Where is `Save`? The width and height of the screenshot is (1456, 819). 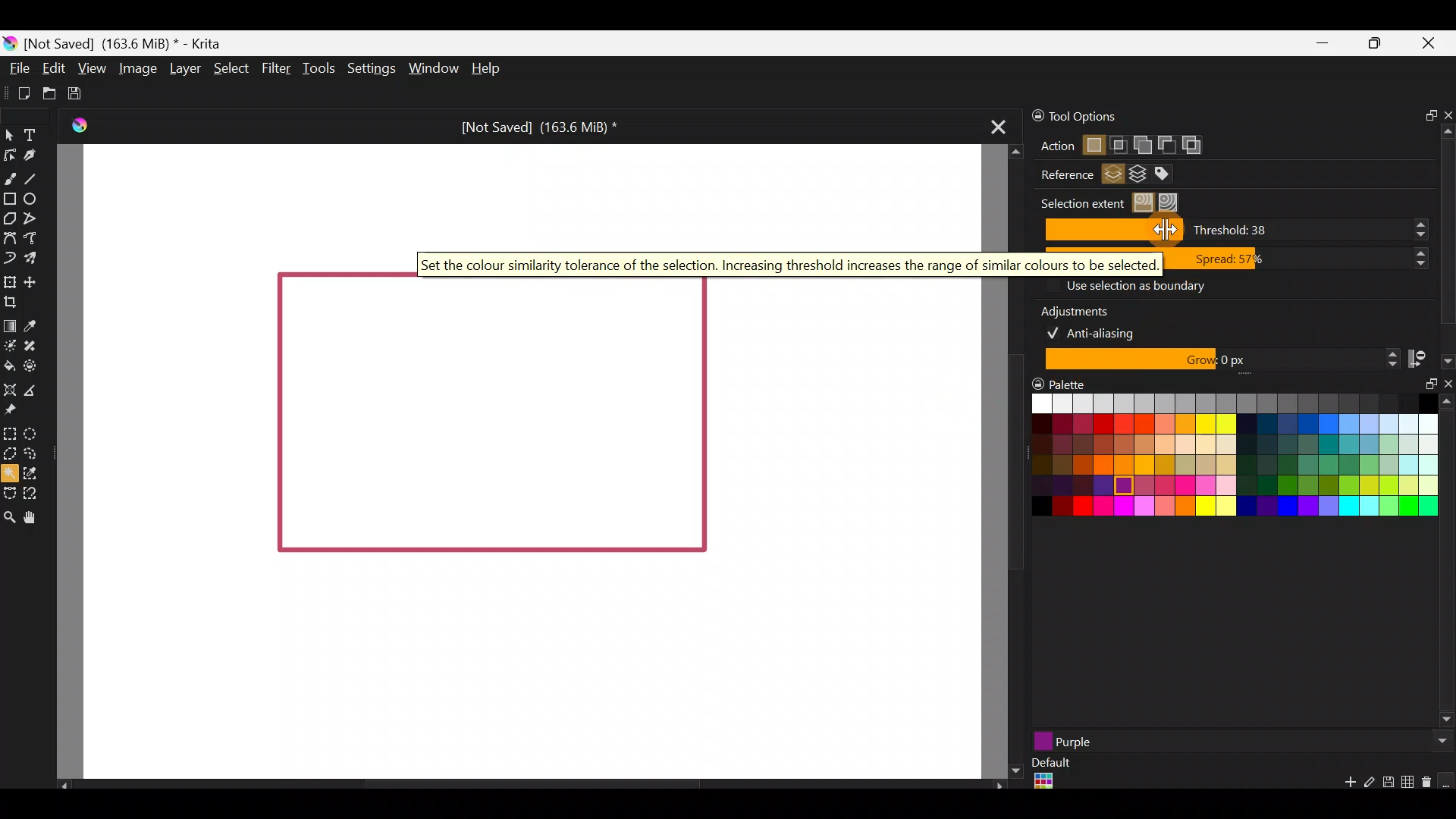
Save is located at coordinates (84, 93).